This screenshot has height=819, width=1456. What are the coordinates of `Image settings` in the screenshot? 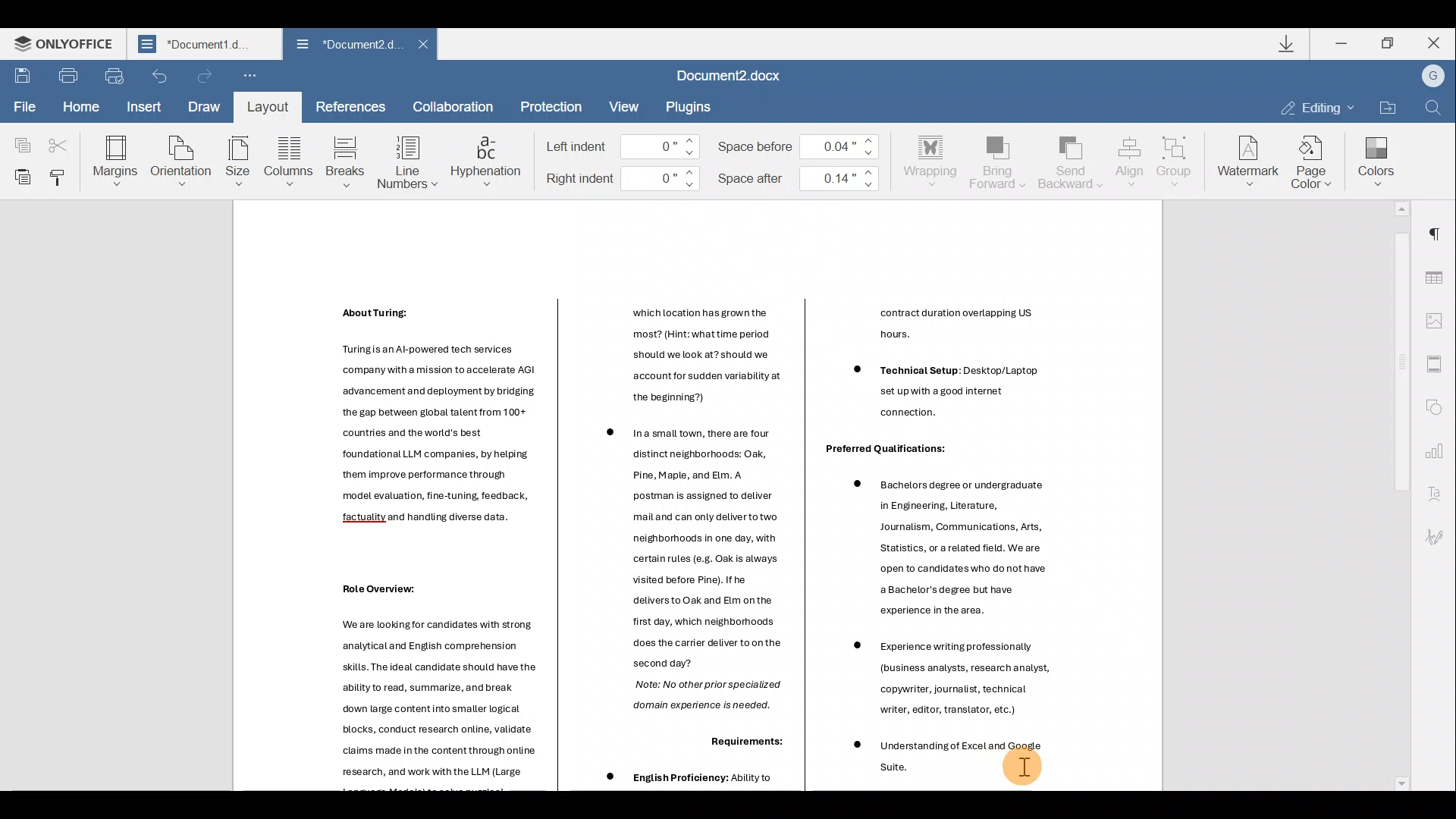 It's located at (1439, 319).